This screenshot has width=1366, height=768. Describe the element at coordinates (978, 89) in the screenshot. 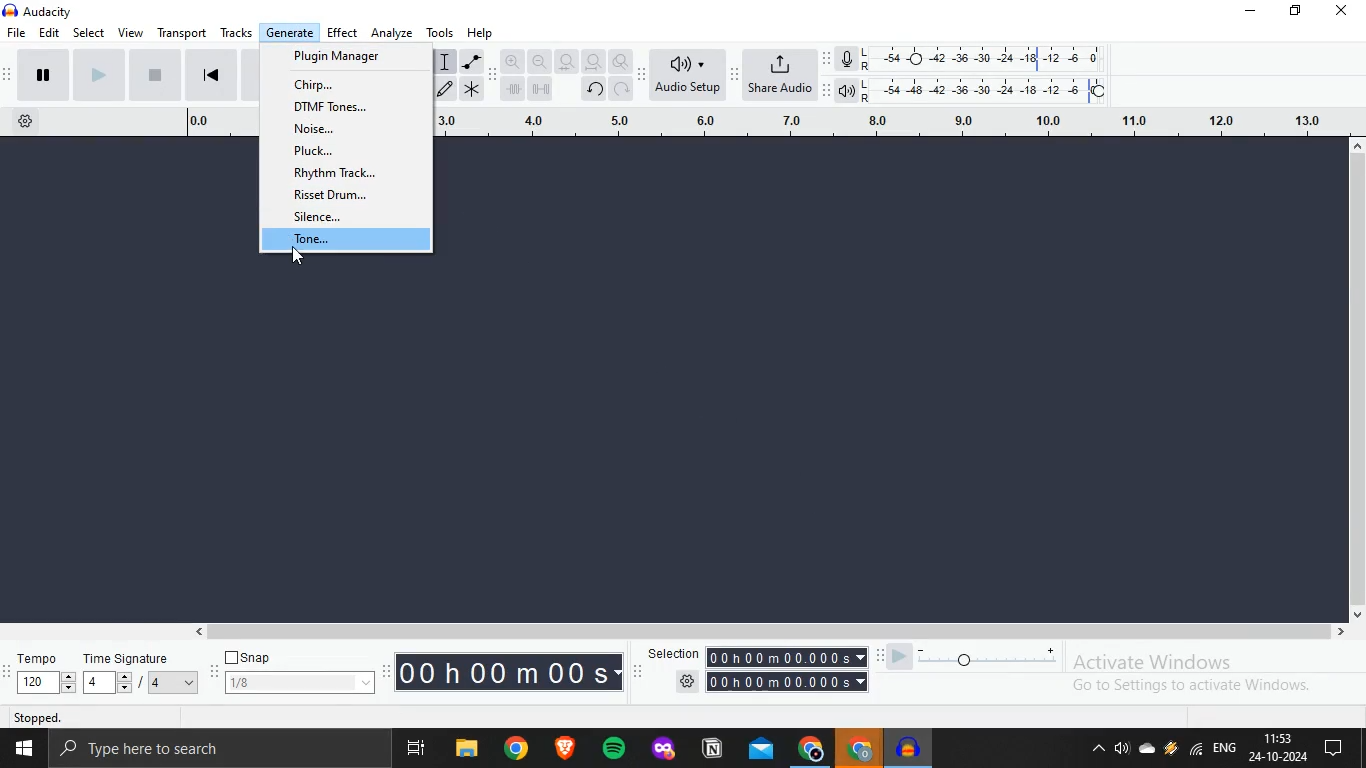

I see `LR Audio` at that location.